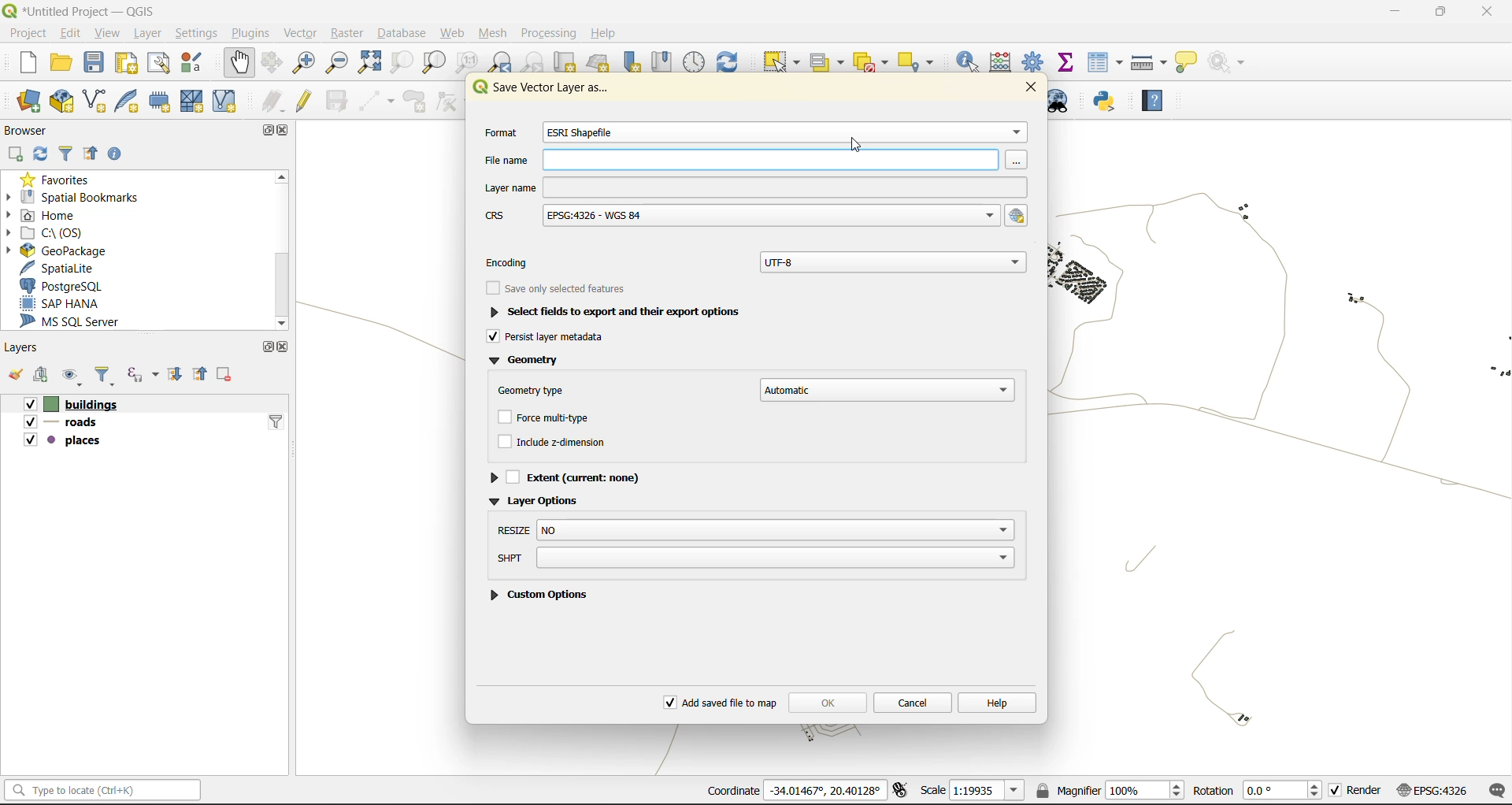  What do you see at coordinates (198, 32) in the screenshot?
I see `settings` at bounding box center [198, 32].